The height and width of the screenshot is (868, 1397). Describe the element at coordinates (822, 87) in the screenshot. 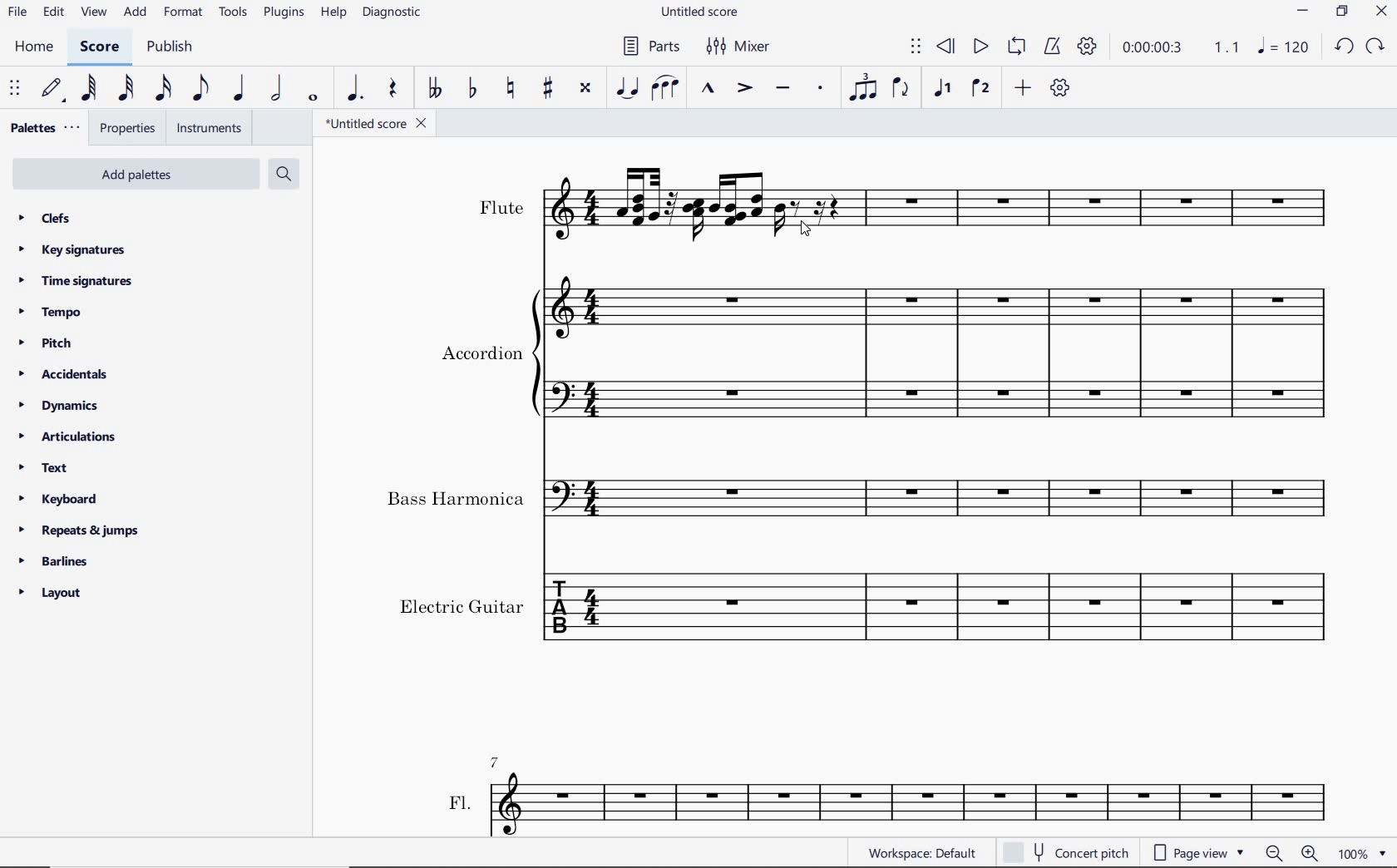

I see `staccato` at that location.